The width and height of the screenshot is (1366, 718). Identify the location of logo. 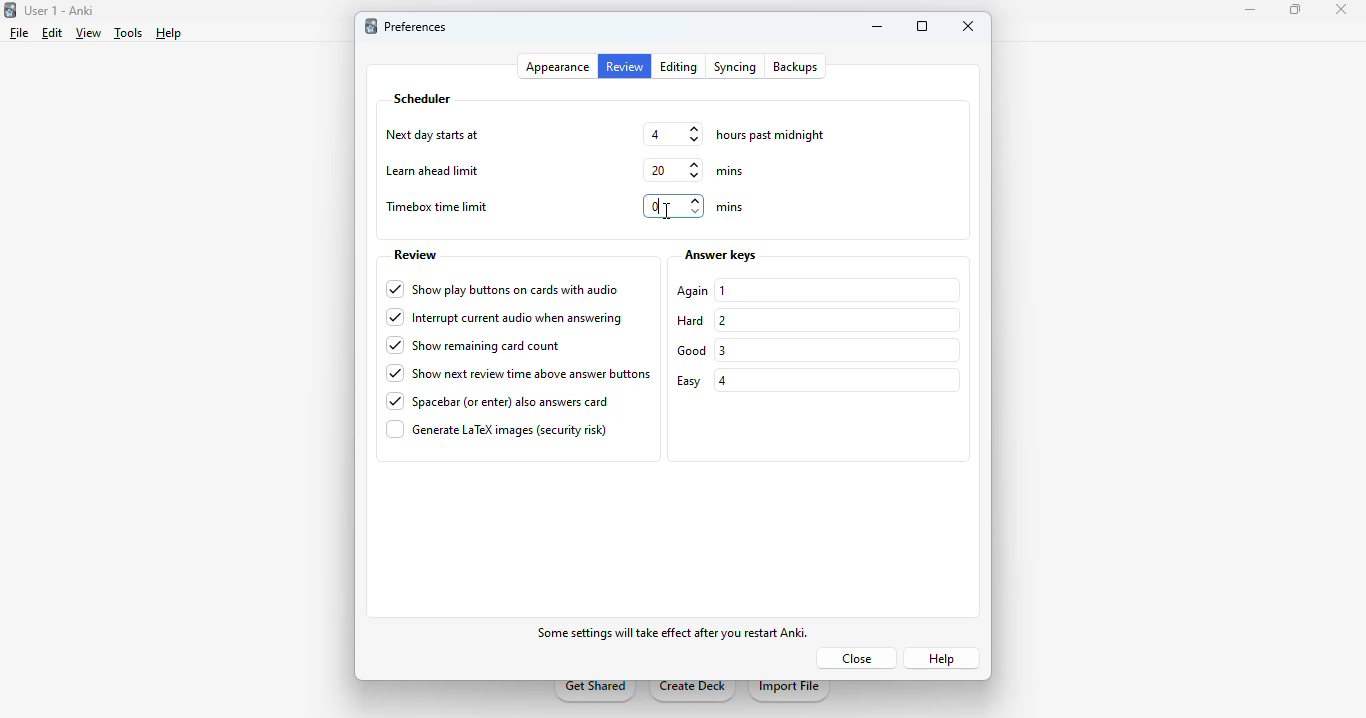
(9, 10).